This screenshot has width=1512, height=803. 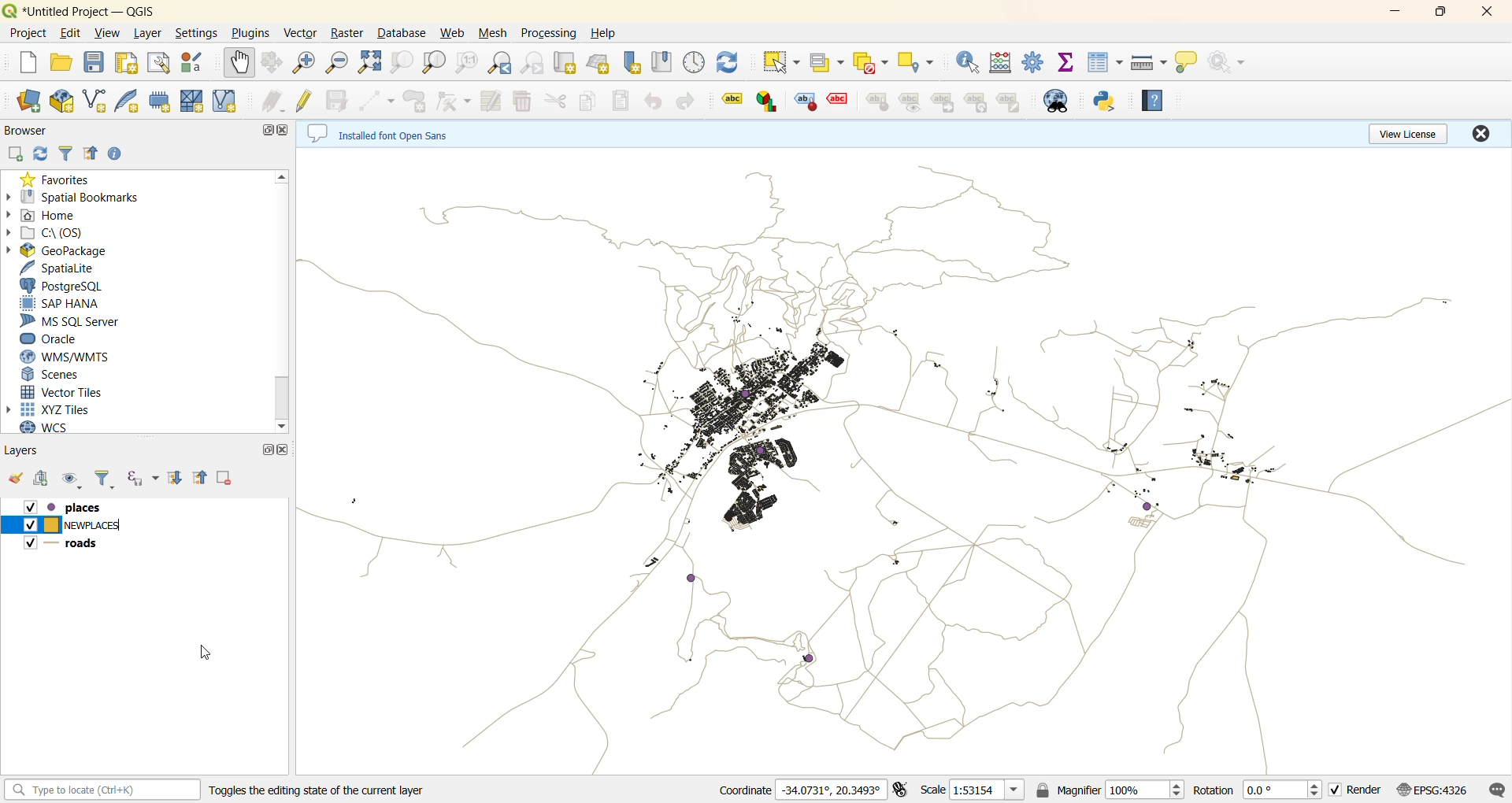 I want to click on style, so click(x=876, y=101).